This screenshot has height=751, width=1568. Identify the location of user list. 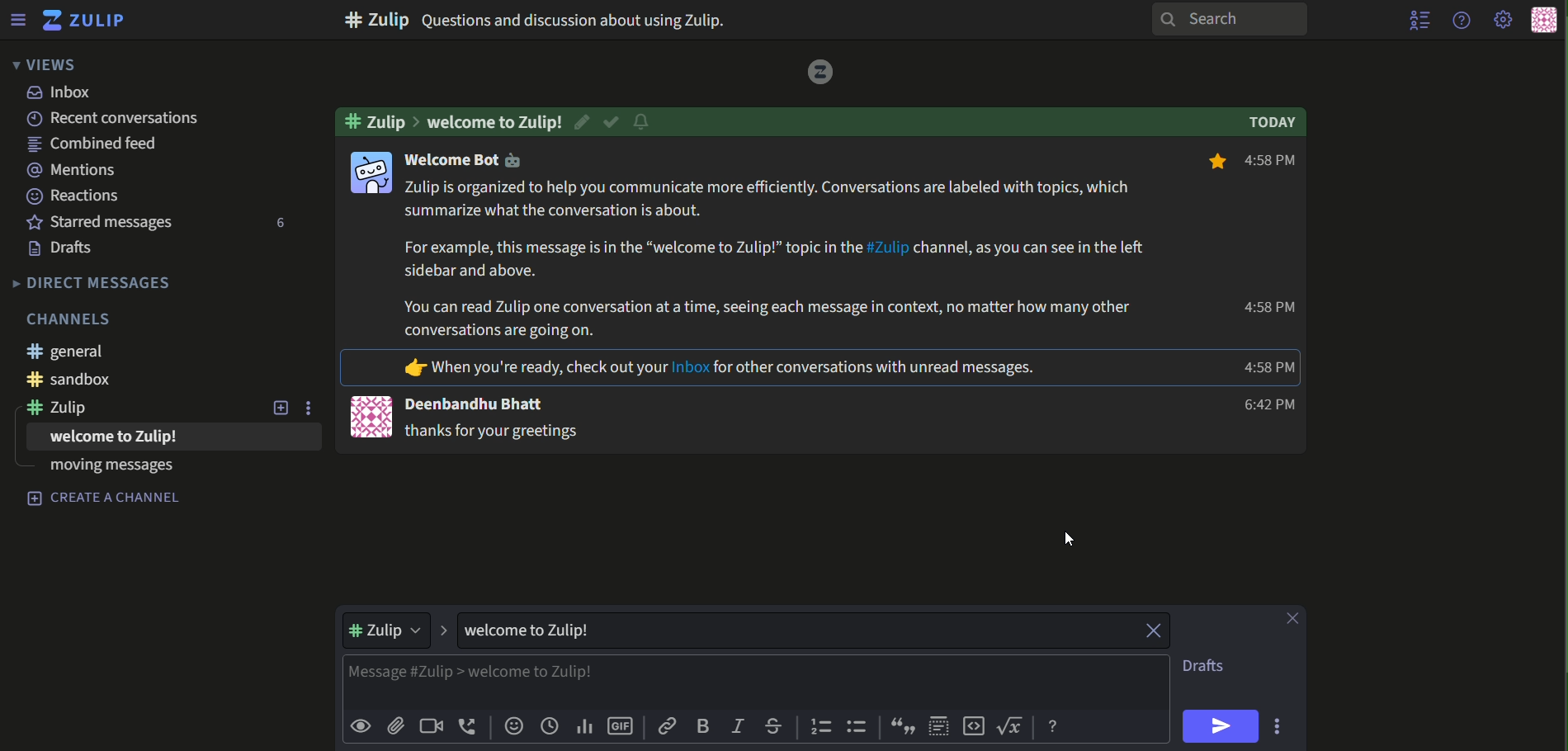
(1419, 20).